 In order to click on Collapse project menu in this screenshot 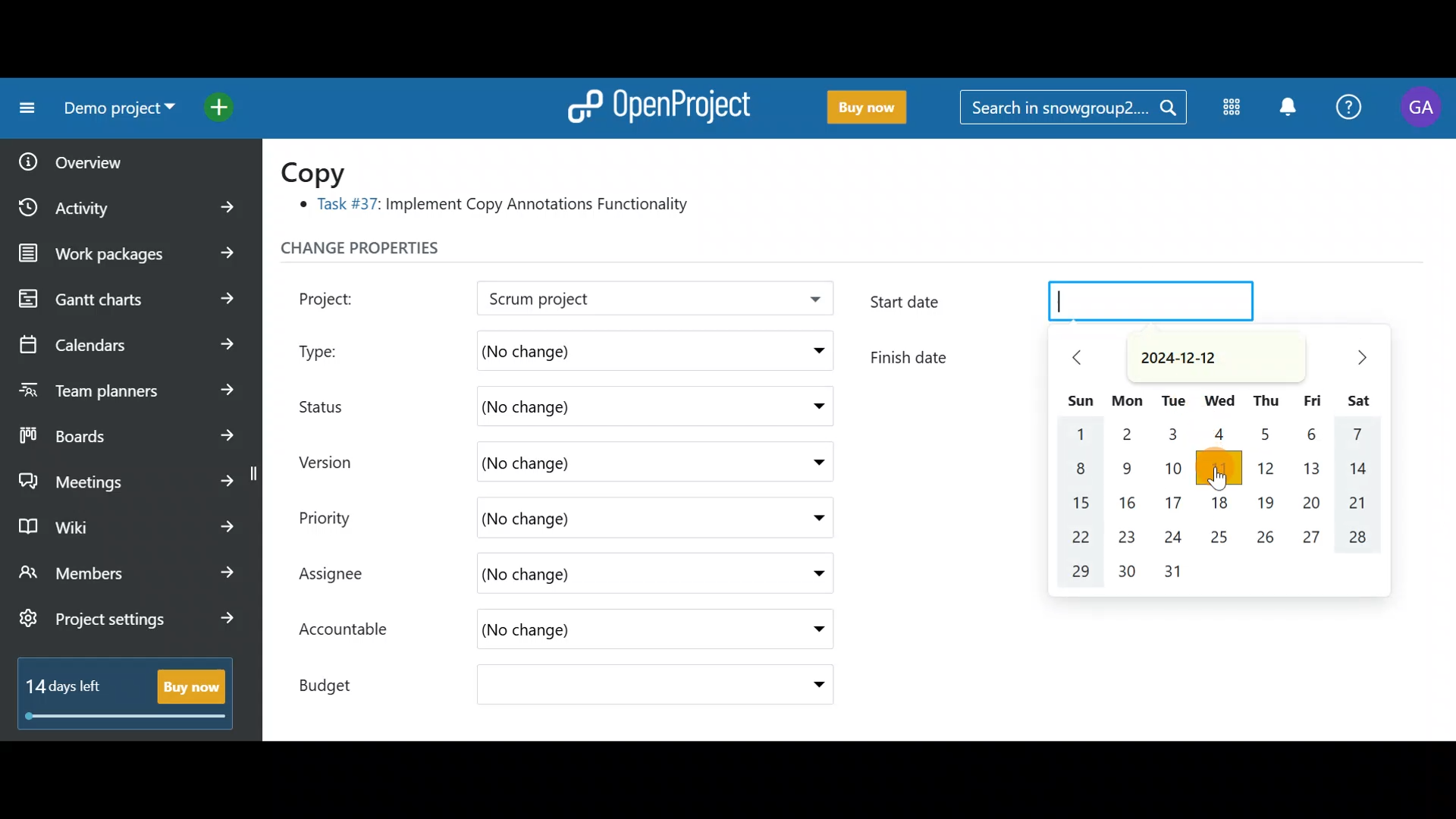, I will do `click(24, 108)`.